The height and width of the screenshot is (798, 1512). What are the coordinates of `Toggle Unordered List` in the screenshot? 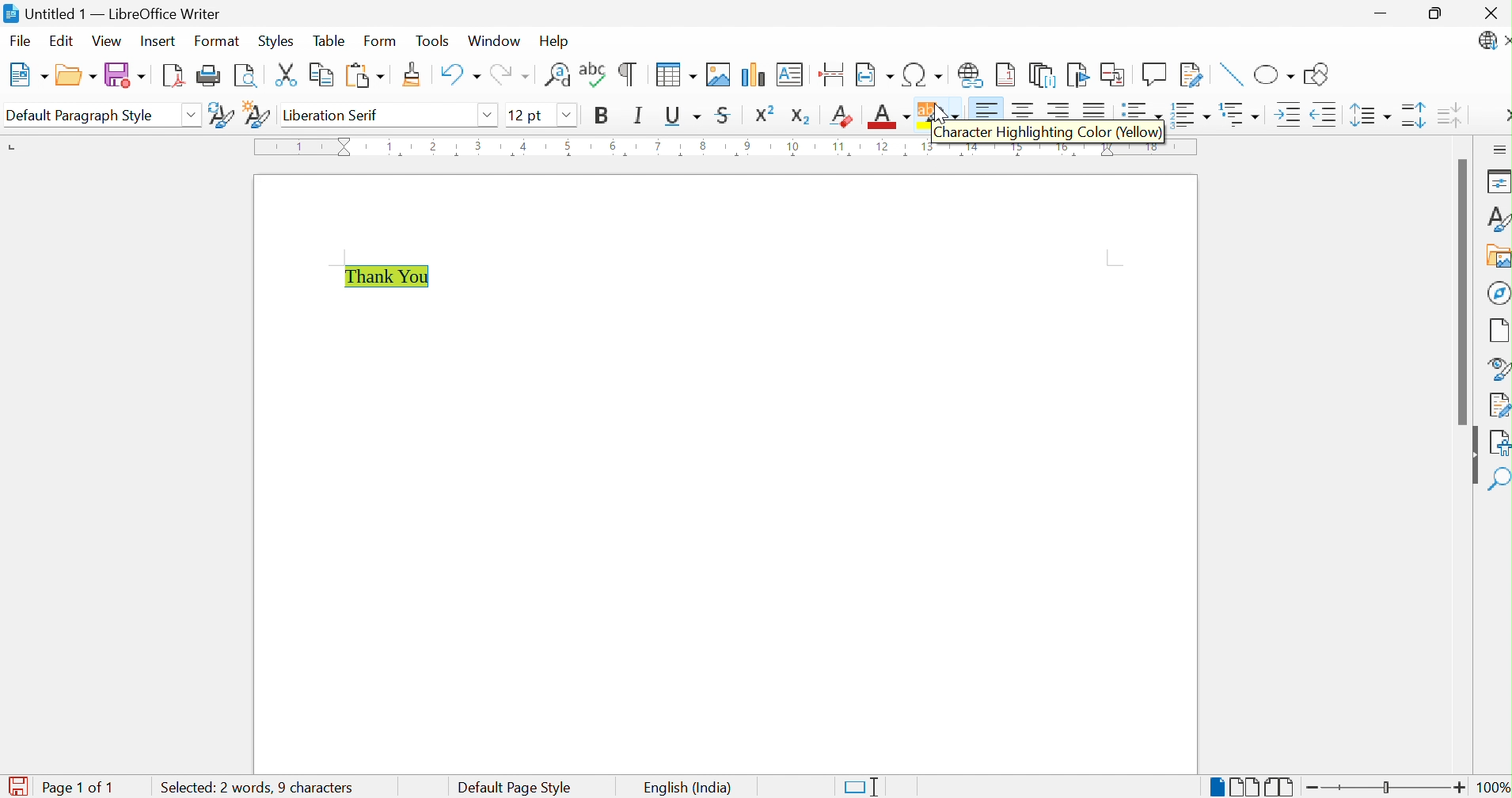 It's located at (1139, 108).